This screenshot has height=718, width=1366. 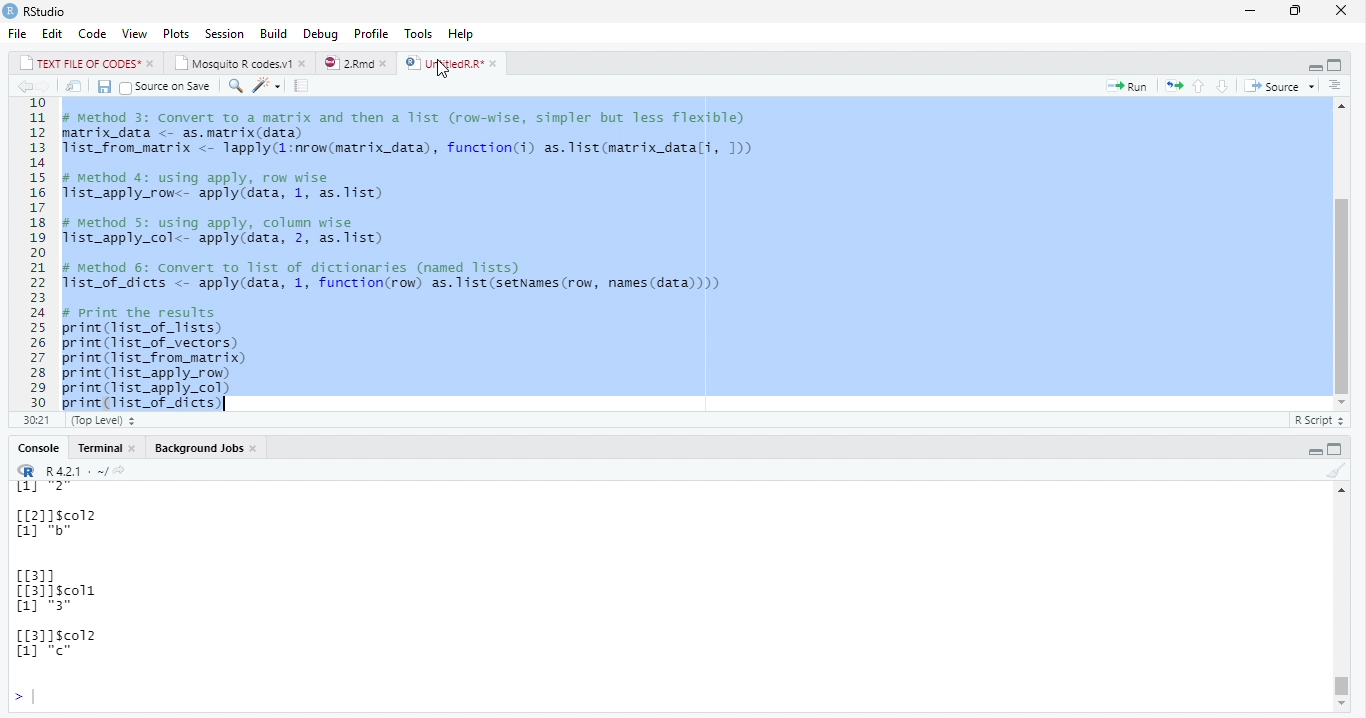 I want to click on # method 5: using apply, column wise, so click(x=232, y=223).